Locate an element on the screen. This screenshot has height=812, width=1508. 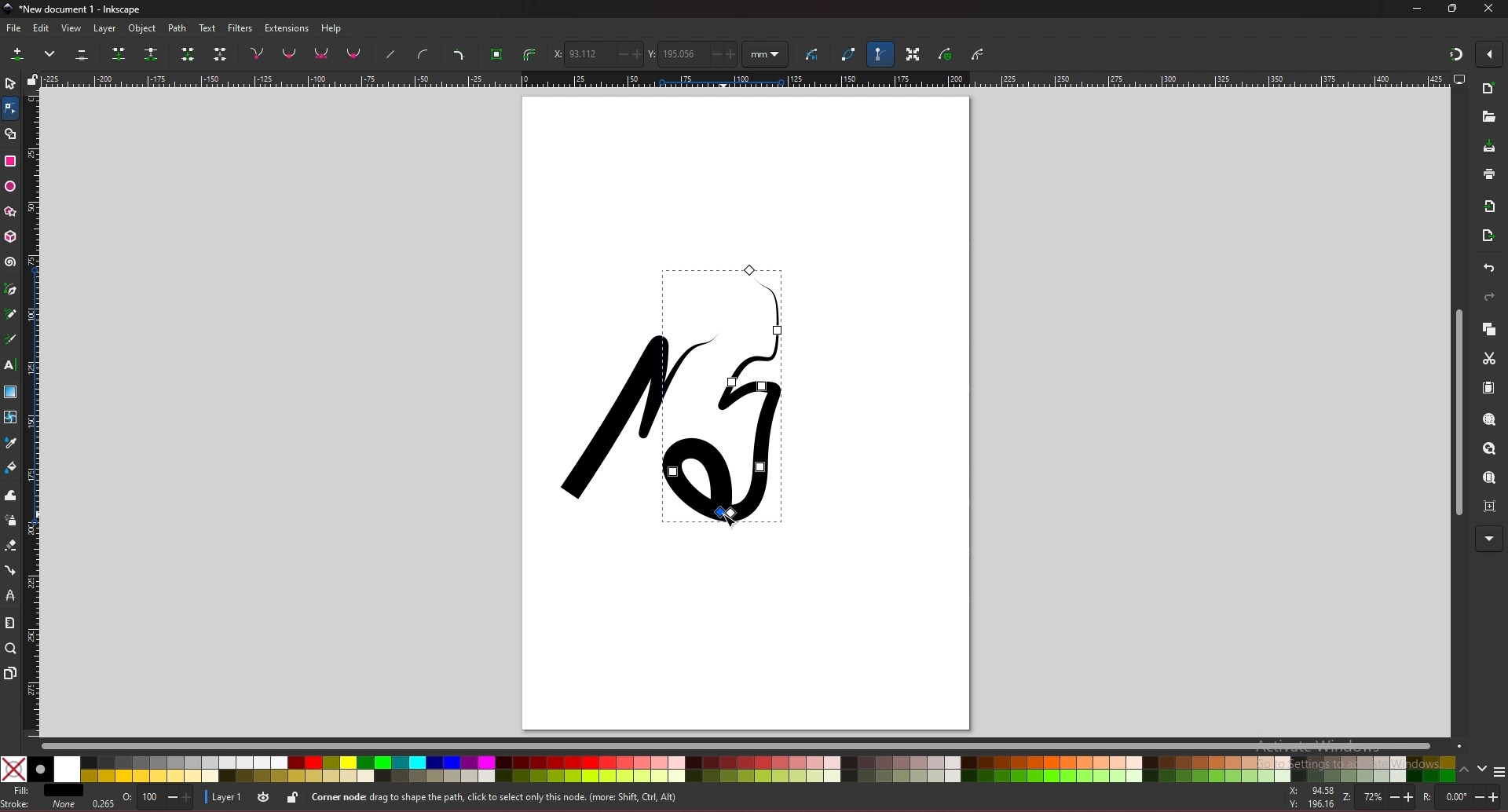
curve handle is located at coordinates (424, 53).